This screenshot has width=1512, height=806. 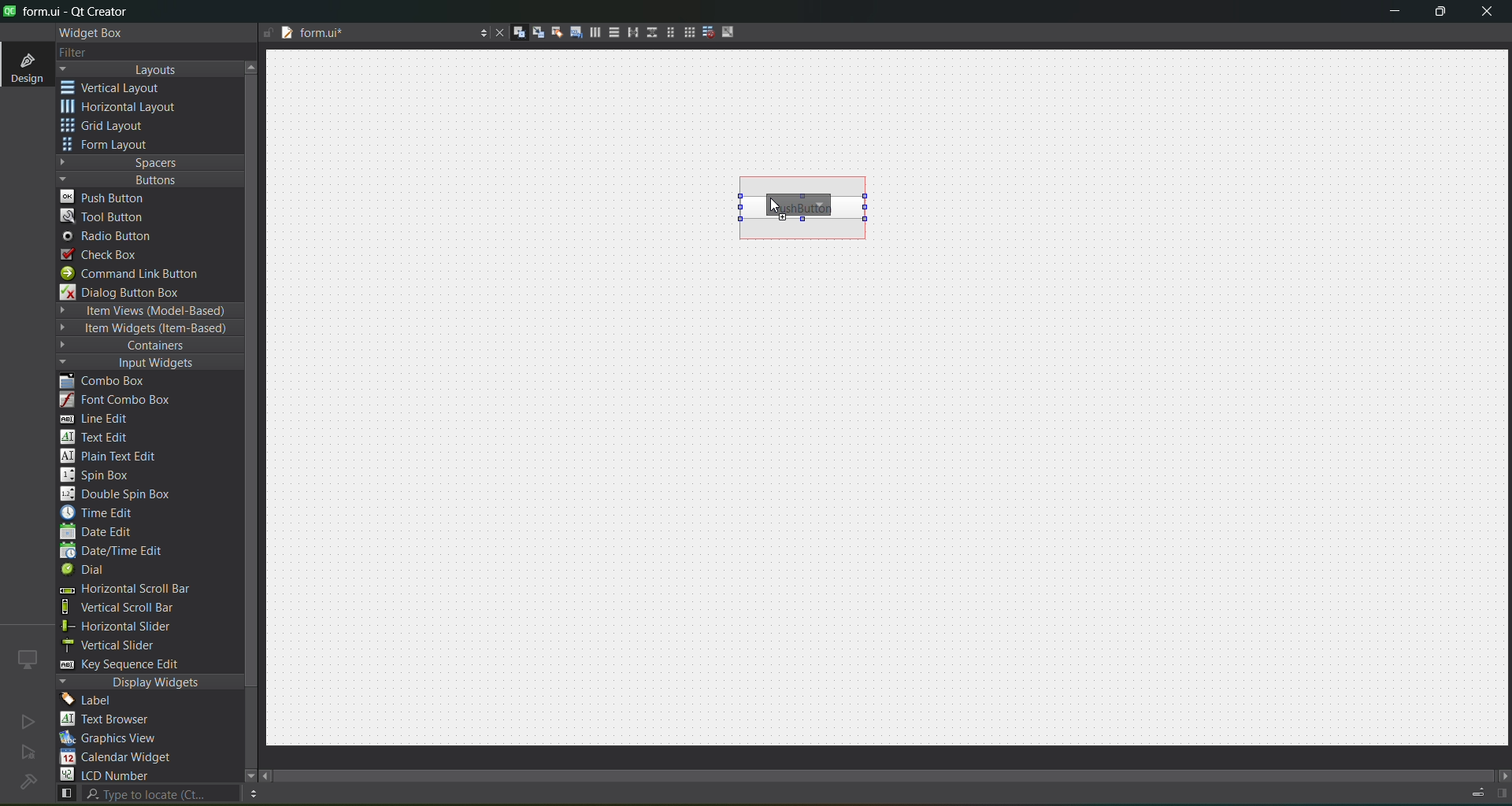 I want to click on push, so click(x=105, y=196).